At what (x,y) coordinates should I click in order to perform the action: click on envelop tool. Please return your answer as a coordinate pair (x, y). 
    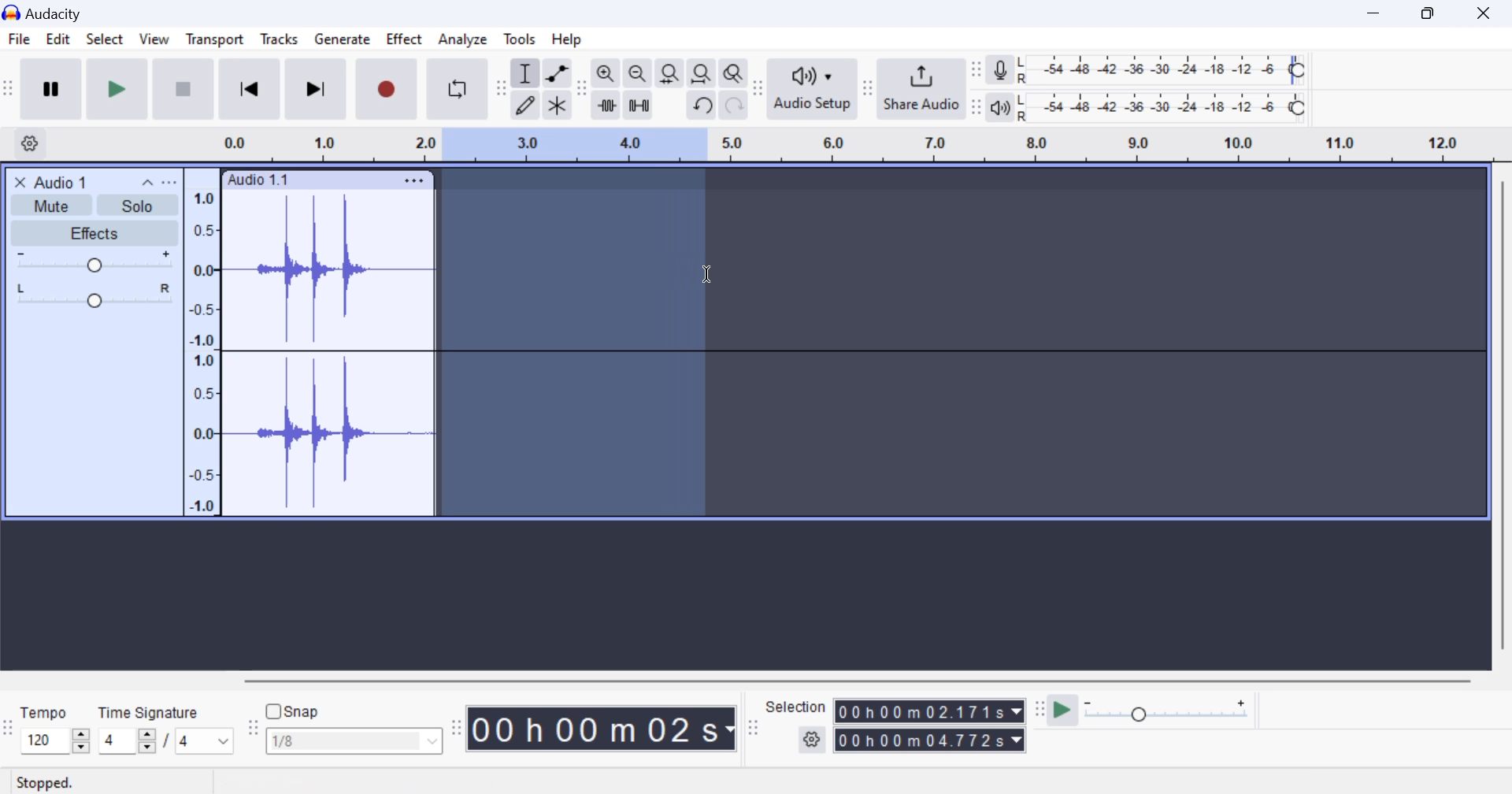
    Looking at the image, I should click on (557, 75).